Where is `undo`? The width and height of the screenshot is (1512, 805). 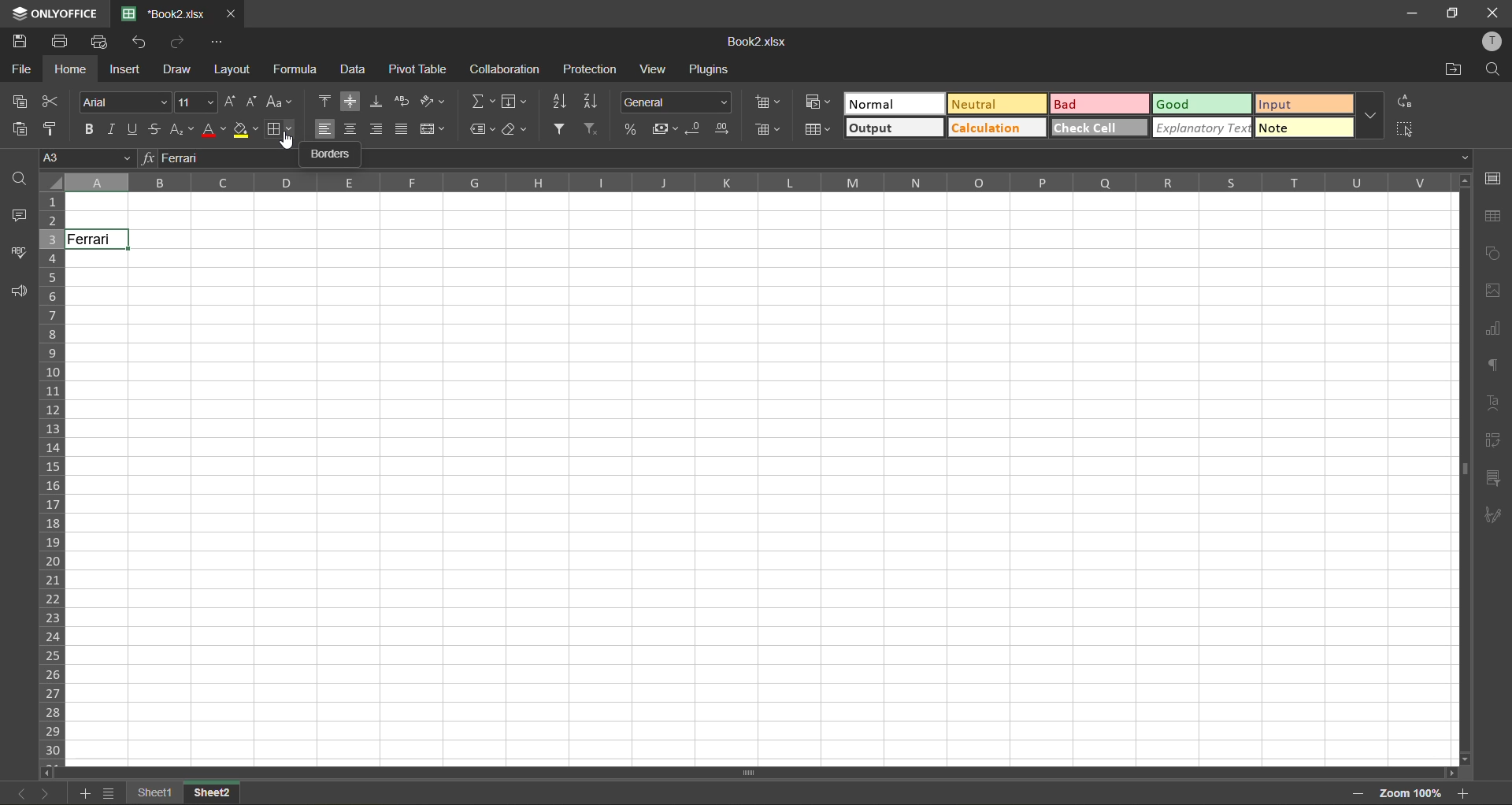 undo is located at coordinates (142, 42).